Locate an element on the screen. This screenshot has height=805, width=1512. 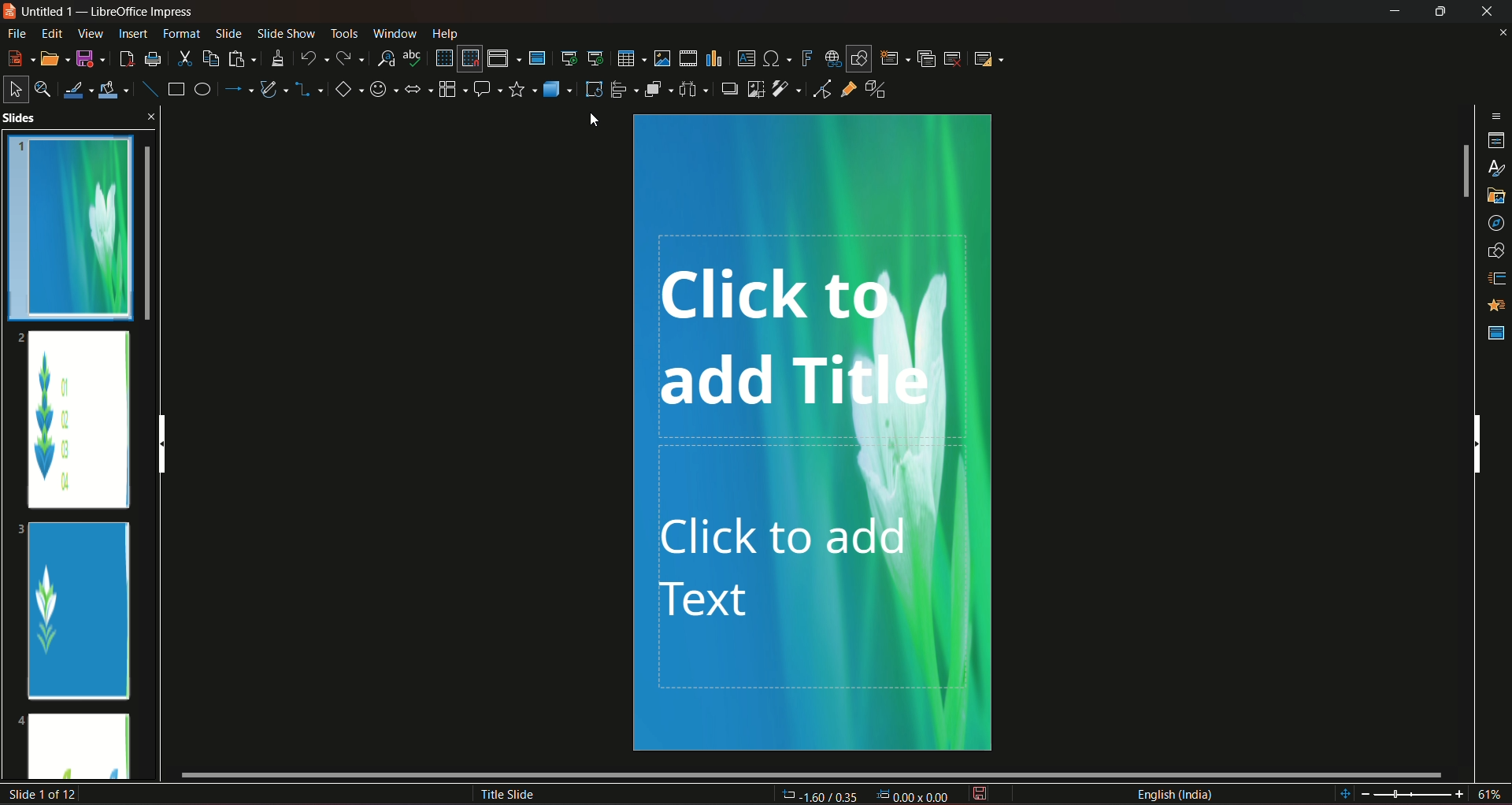
master slides  is located at coordinates (1495, 332).